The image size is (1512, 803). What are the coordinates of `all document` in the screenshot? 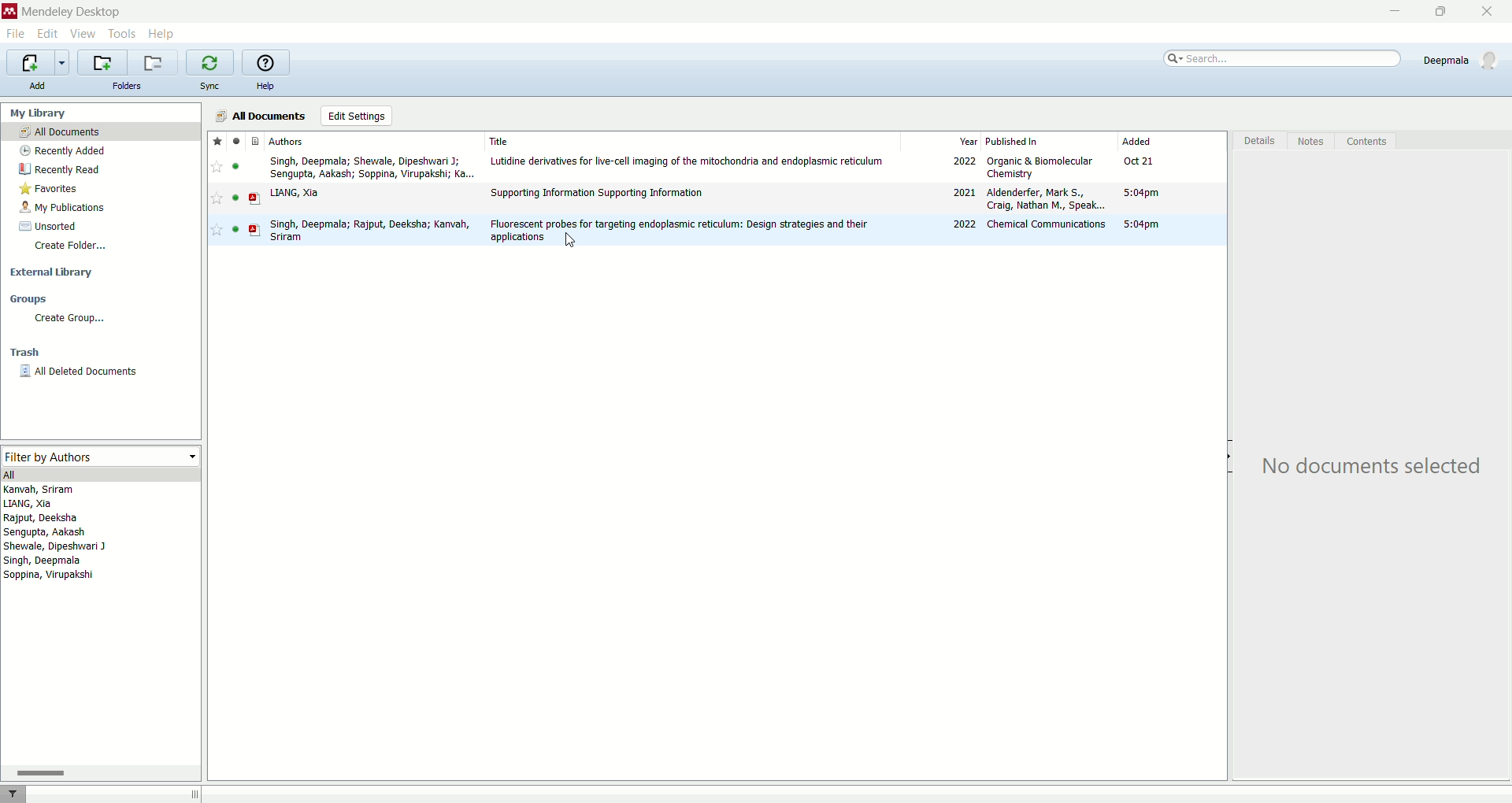 It's located at (102, 131).